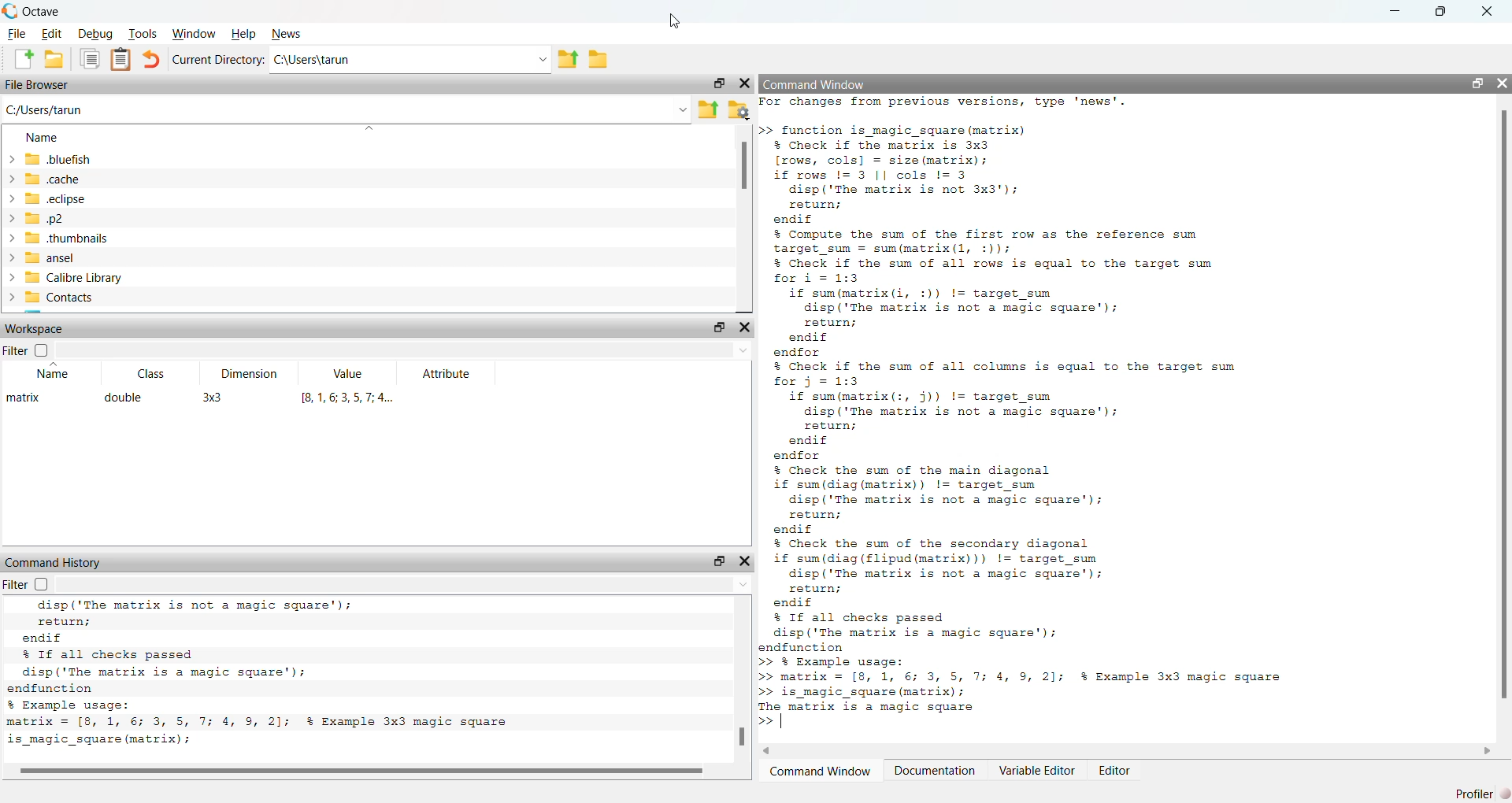 Image resolution: width=1512 pixels, height=803 pixels. What do you see at coordinates (1488, 11) in the screenshot?
I see `close` at bounding box center [1488, 11].